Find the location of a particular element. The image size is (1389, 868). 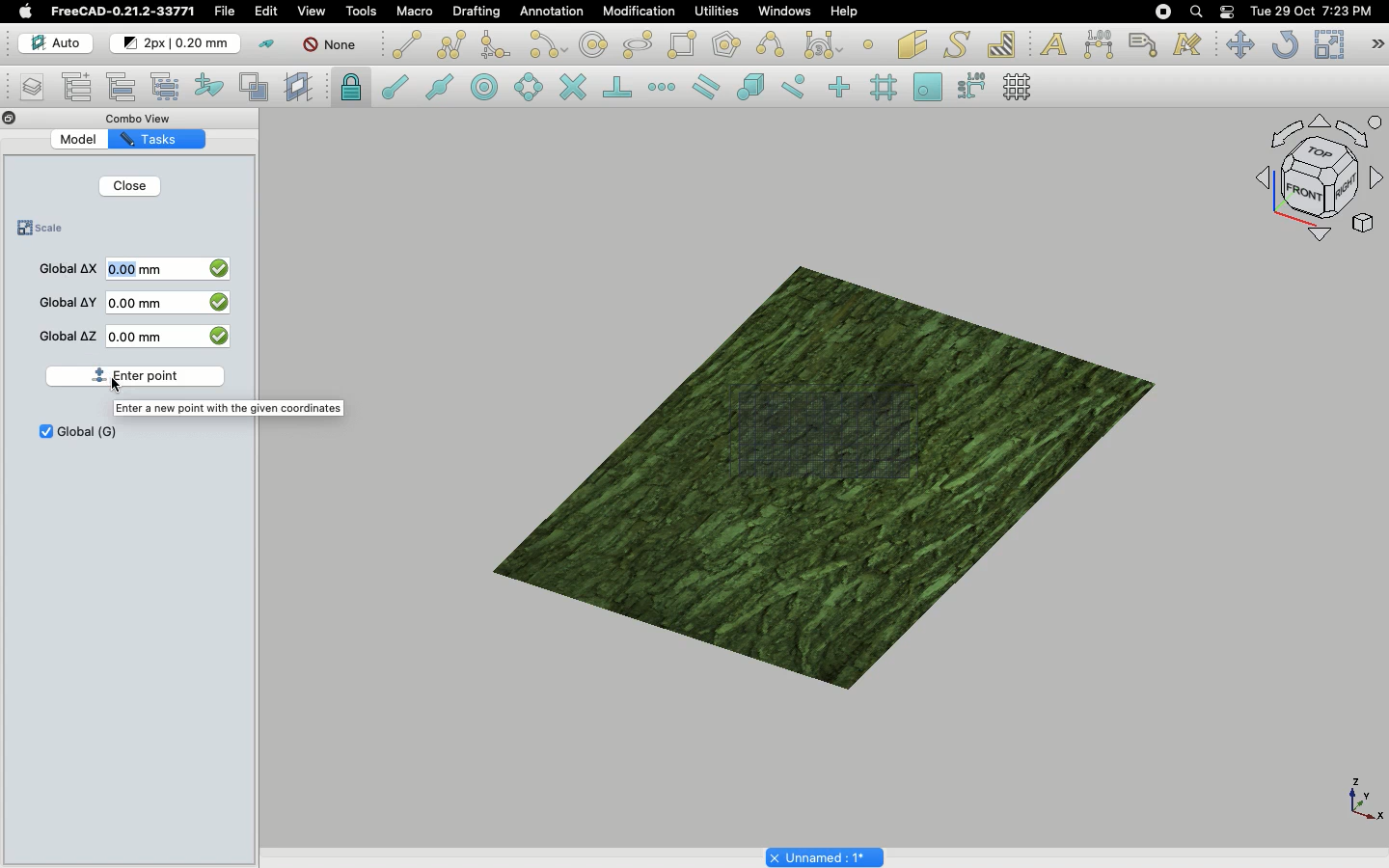

Move is located at coordinates (1239, 45).